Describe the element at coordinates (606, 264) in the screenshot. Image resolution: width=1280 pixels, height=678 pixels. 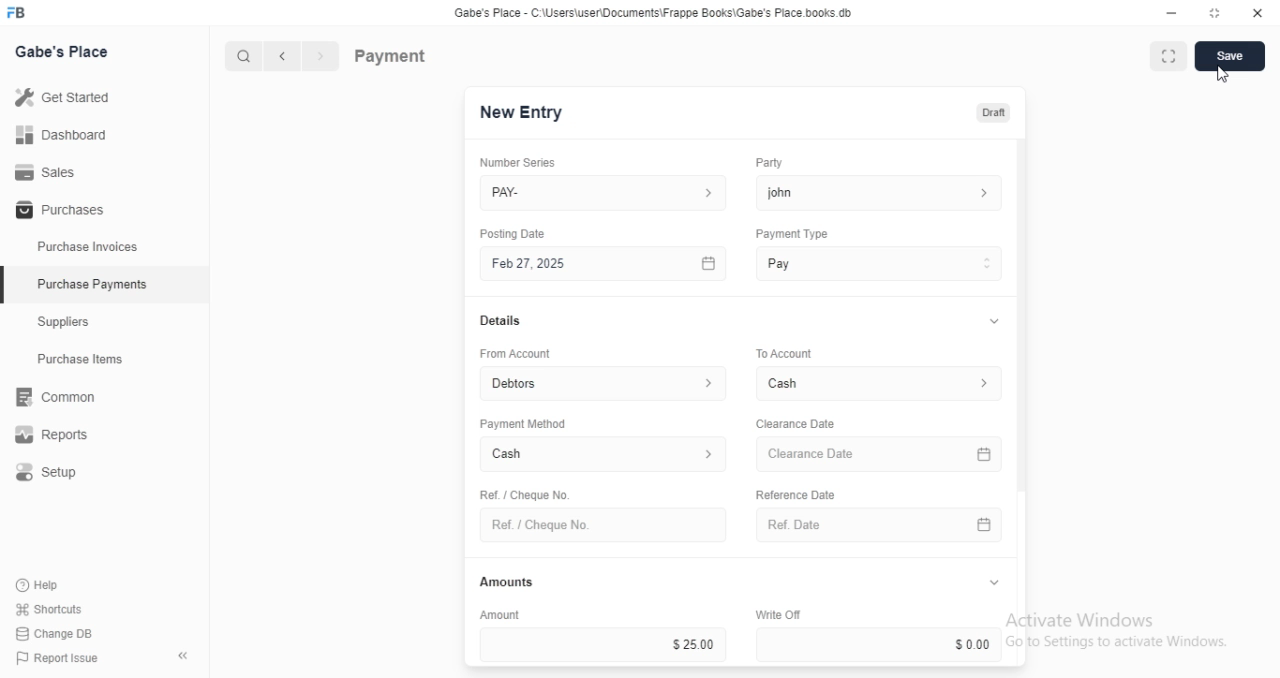
I see `Feb 27, 2025` at that location.